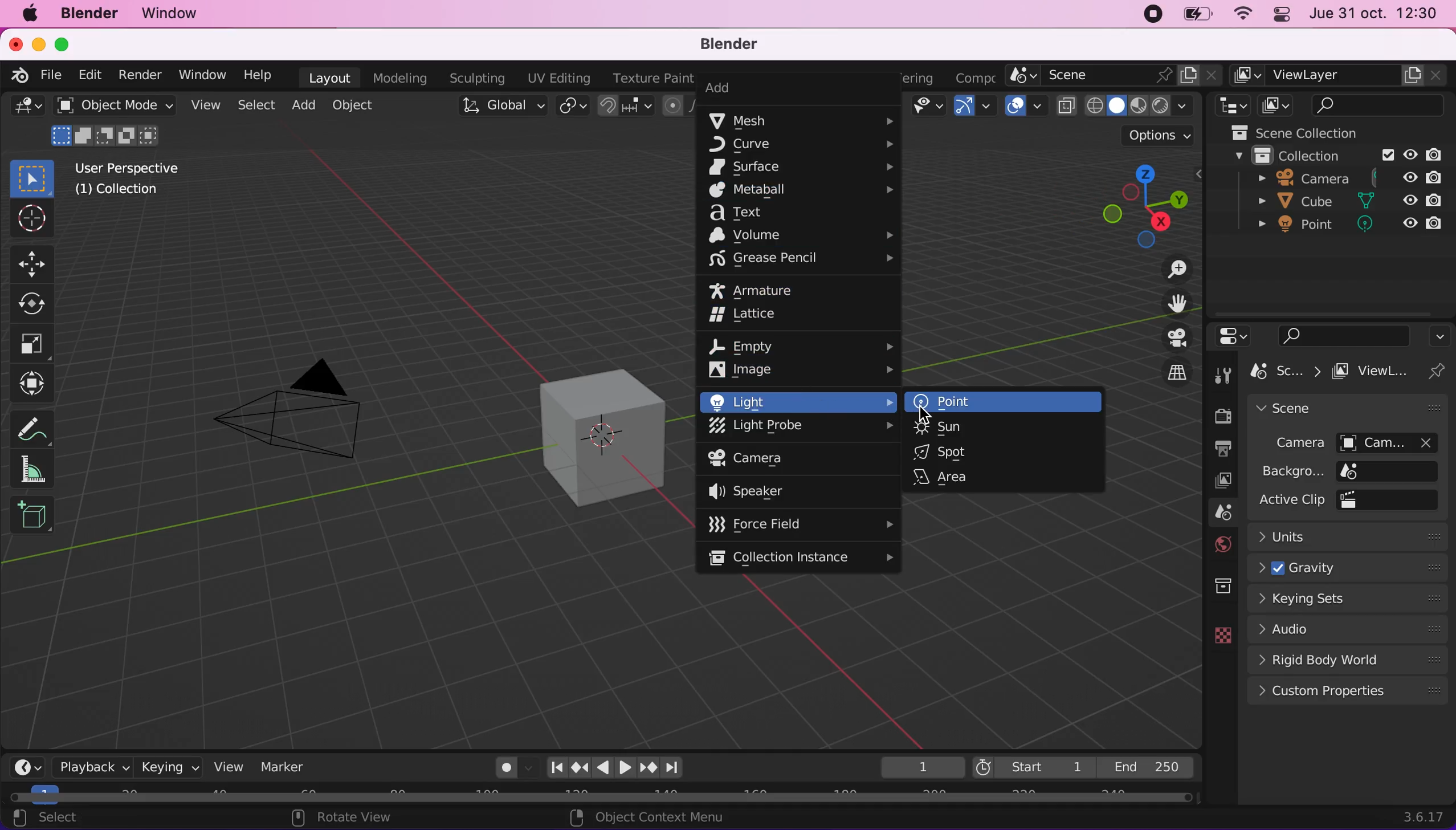 The height and width of the screenshot is (830, 1456). I want to click on pan view, so click(331, 818).